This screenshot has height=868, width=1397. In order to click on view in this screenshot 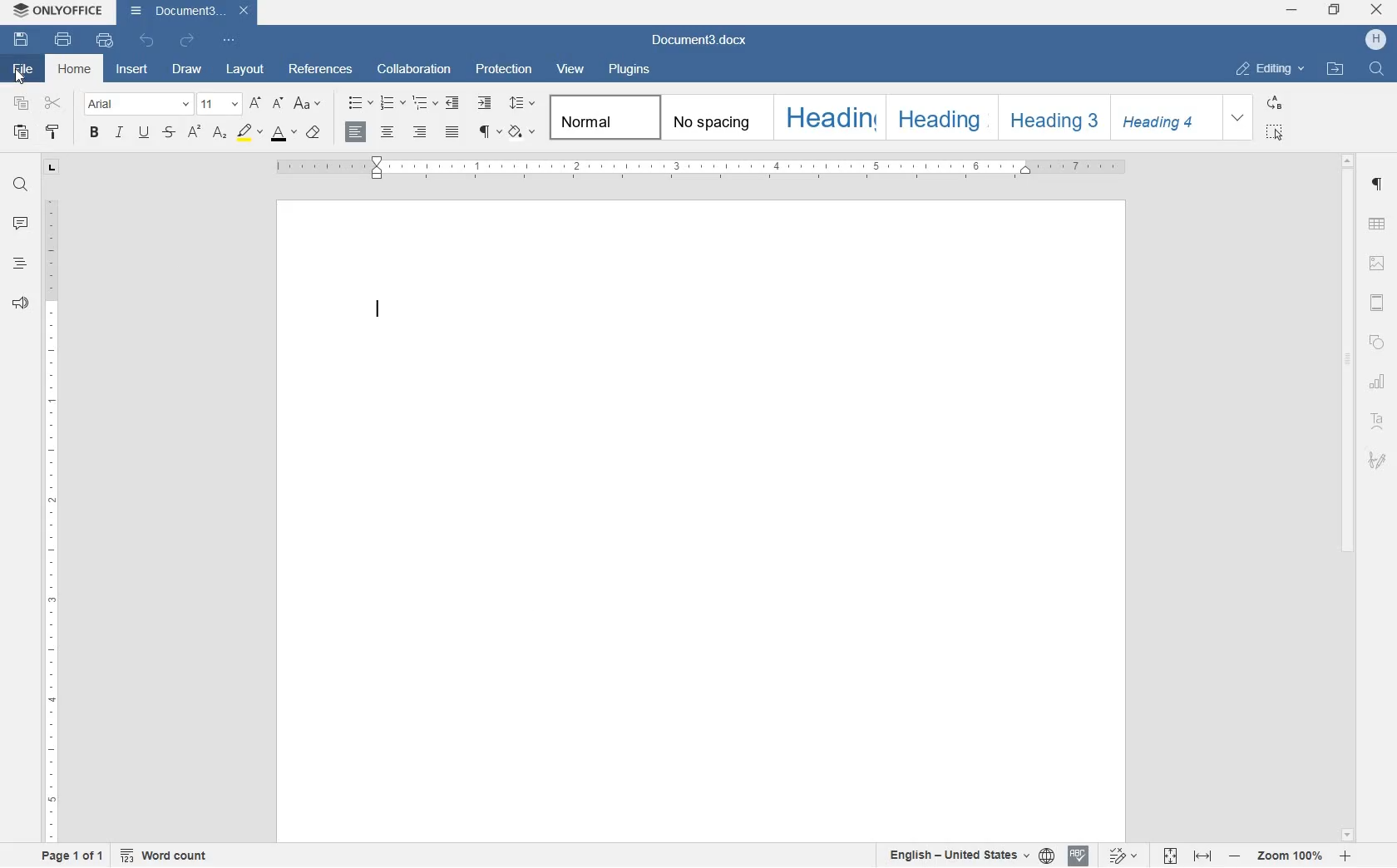, I will do `click(572, 71)`.